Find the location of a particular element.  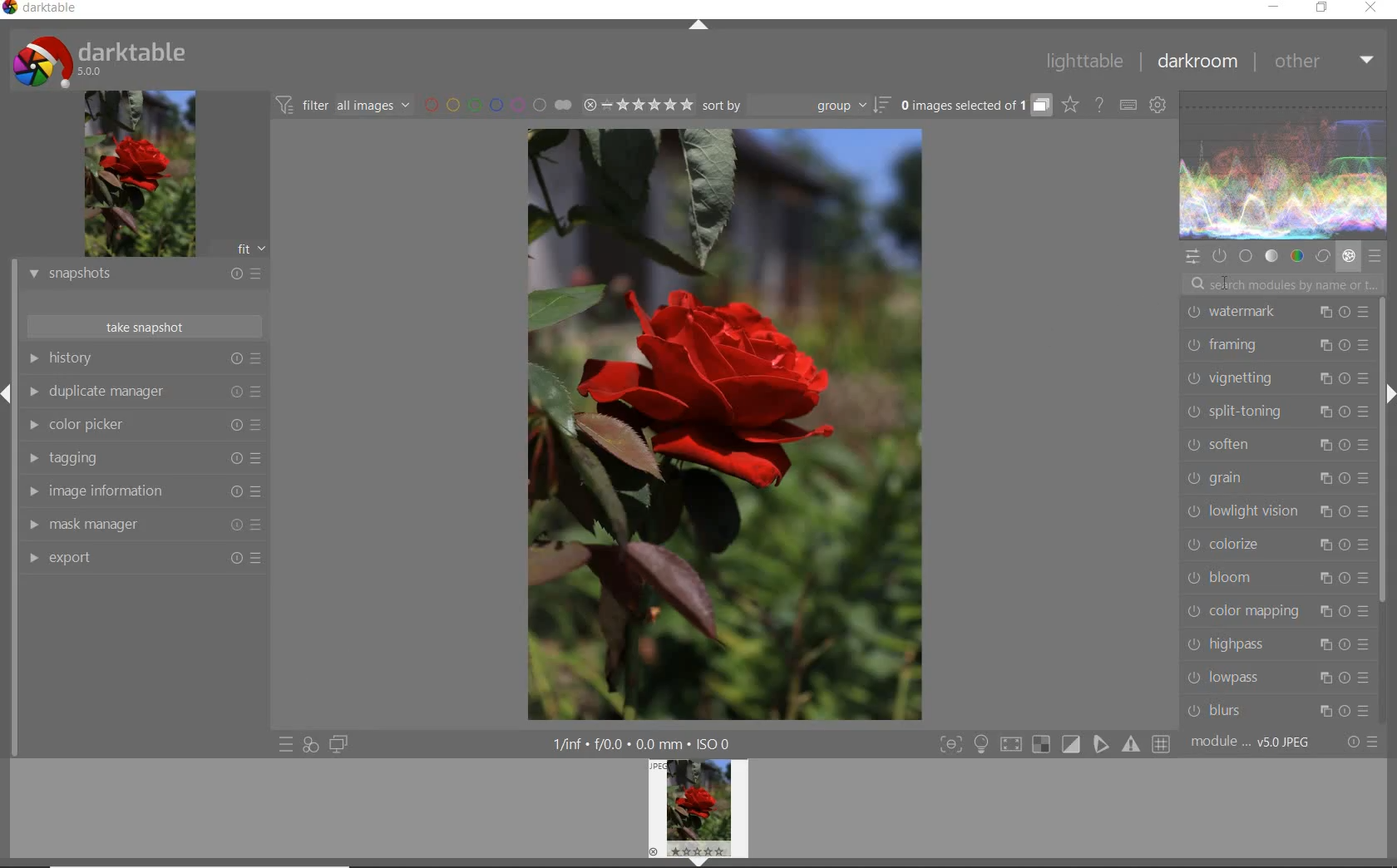

take snapshot is located at coordinates (144, 327).